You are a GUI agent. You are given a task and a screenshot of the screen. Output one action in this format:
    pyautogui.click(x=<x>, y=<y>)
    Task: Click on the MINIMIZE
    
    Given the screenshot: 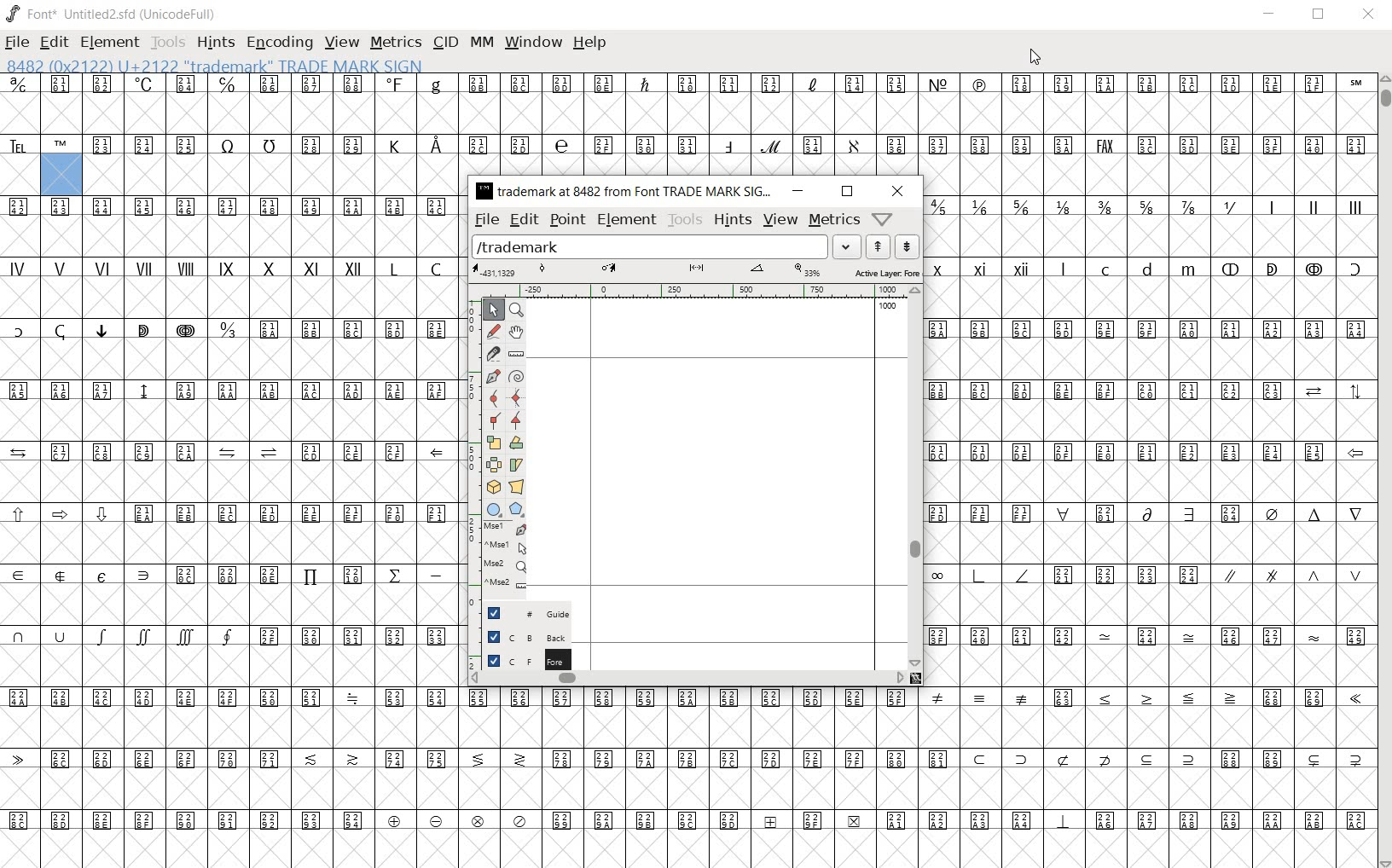 What is the action you would take?
    pyautogui.click(x=1269, y=13)
    